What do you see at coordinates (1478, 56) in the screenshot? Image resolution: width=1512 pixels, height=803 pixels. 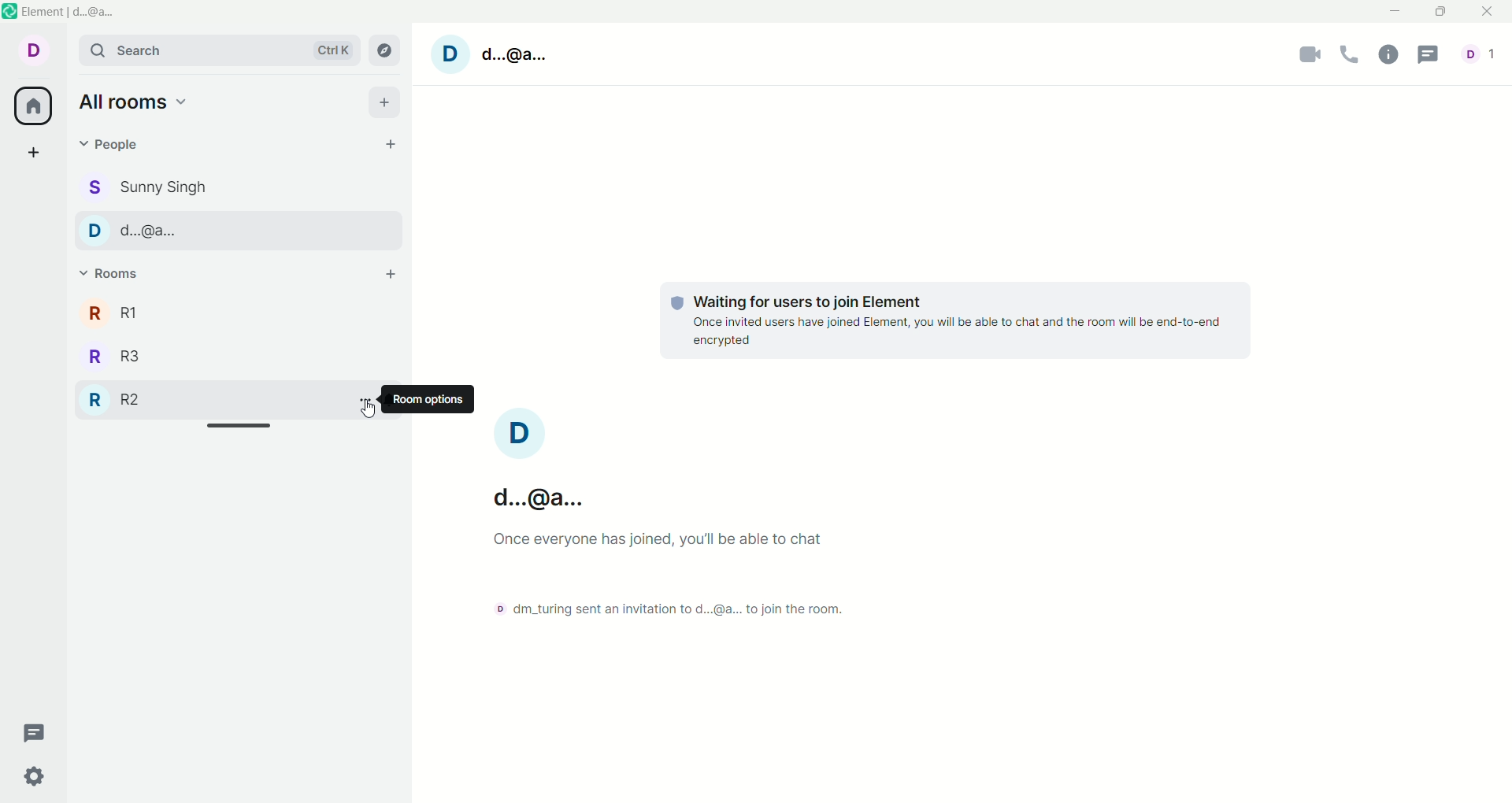 I see `account` at bounding box center [1478, 56].